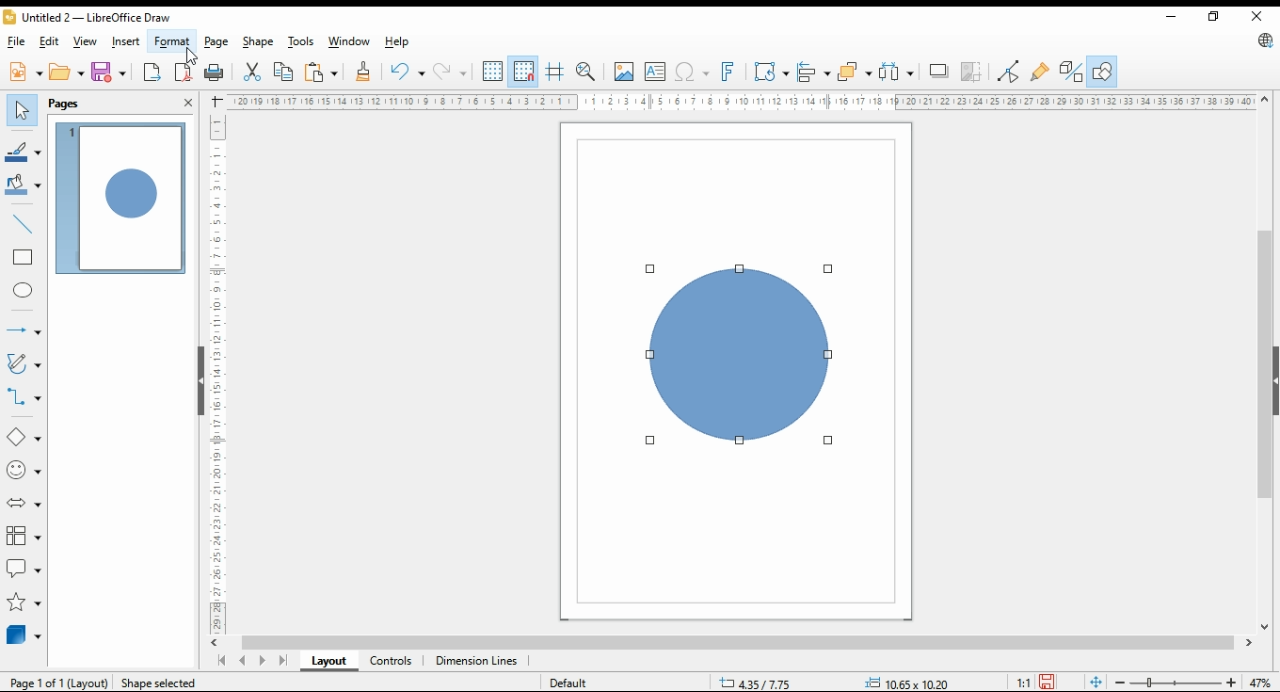 This screenshot has width=1280, height=692. Describe the element at coordinates (759, 684) in the screenshot. I see `9.98/12.79` at that location.